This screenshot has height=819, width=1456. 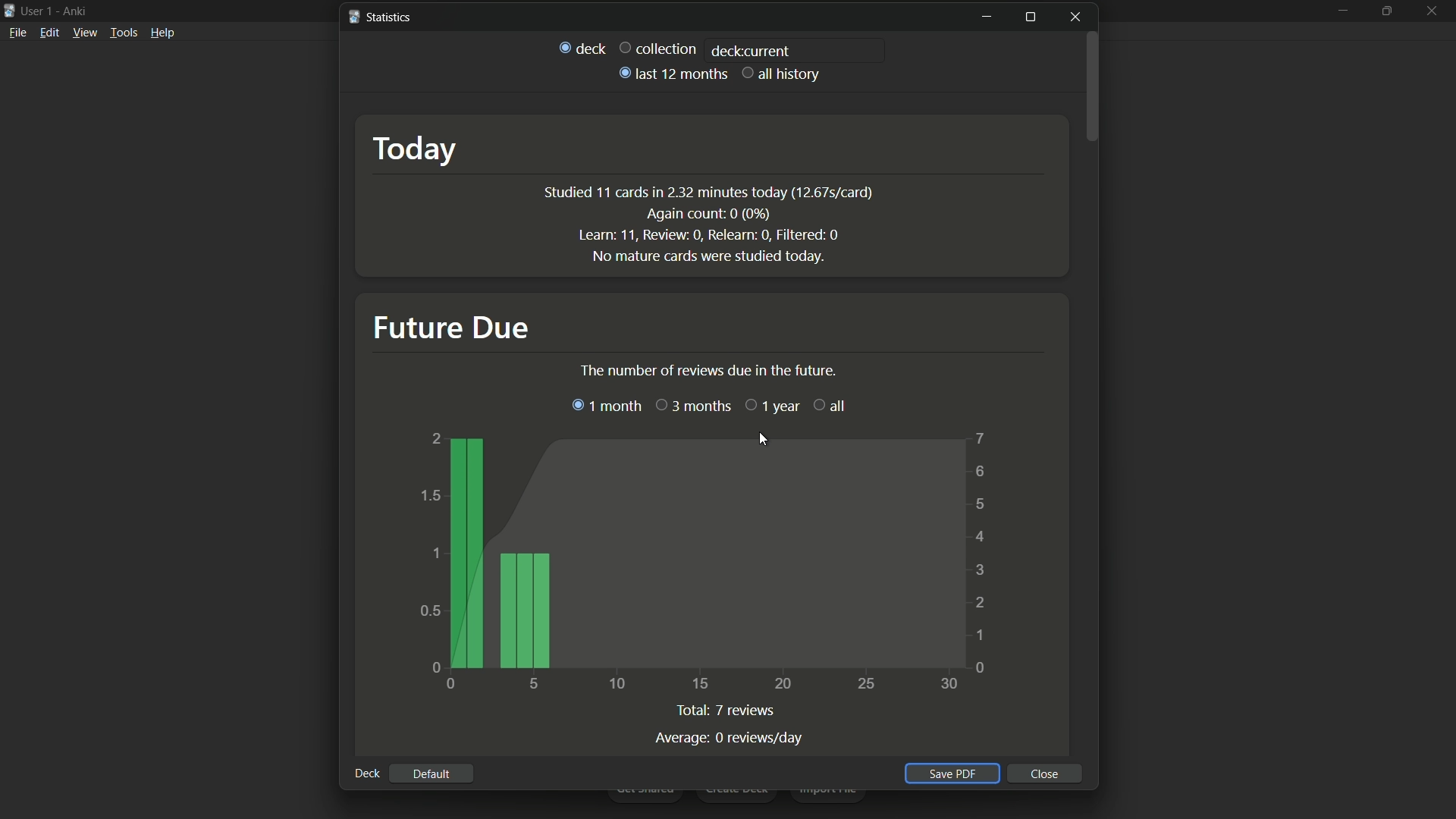 What do you see at coordinates (770, 405) in the screenshot?
I see `1 year` at bounding box center [770, 405].